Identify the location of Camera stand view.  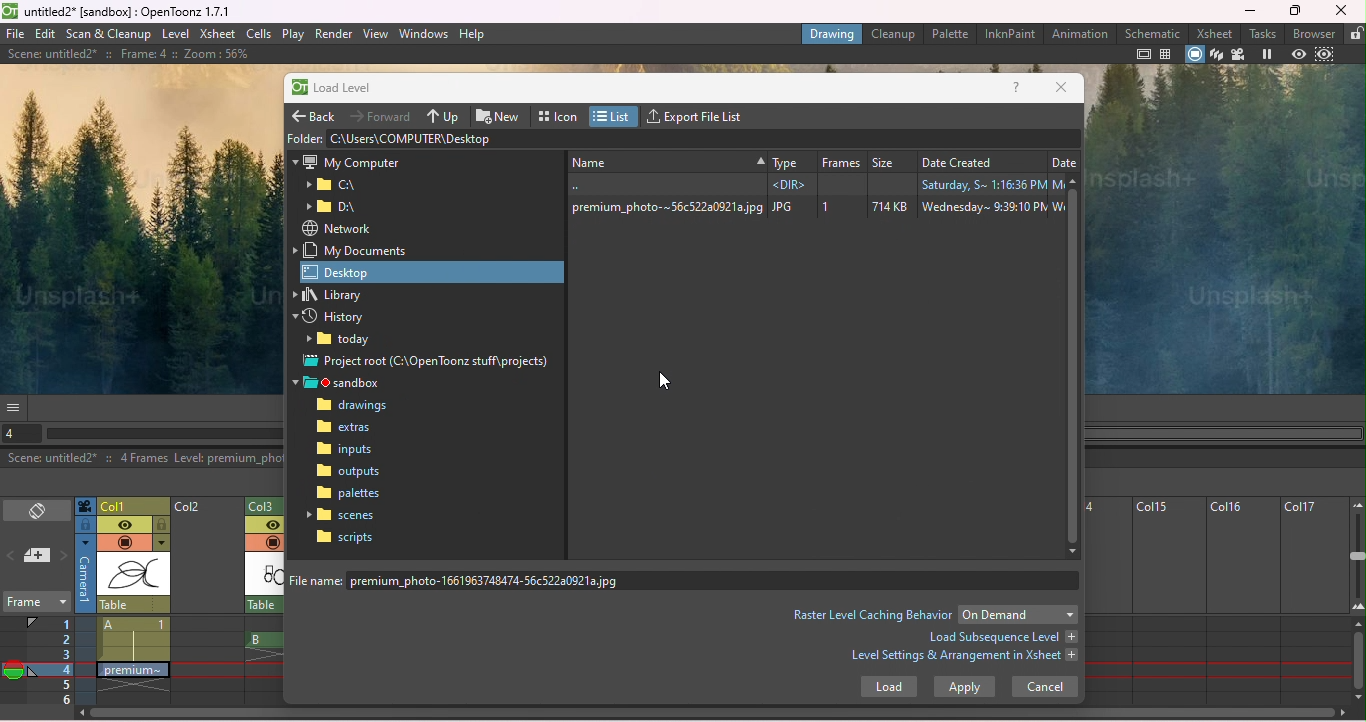
(1196, 55).